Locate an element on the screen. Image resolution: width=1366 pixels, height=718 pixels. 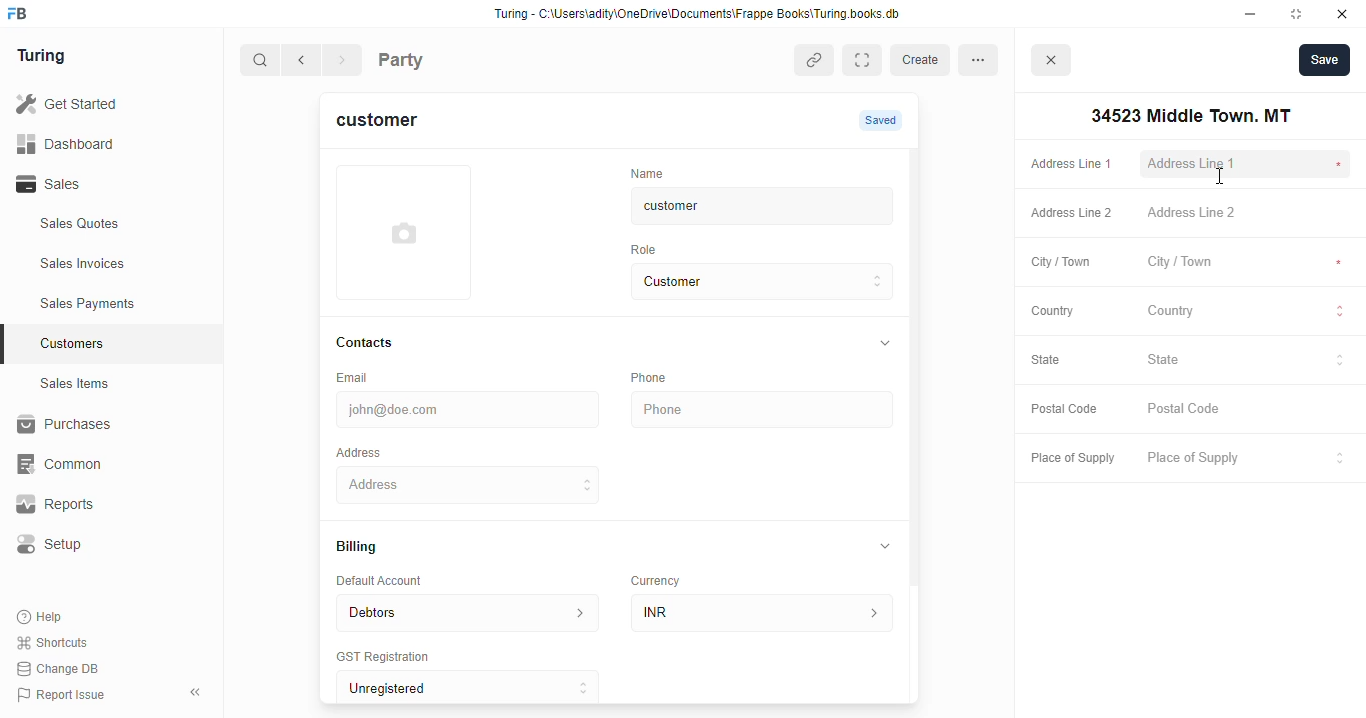
Customers is located at coordinates (123, 341).